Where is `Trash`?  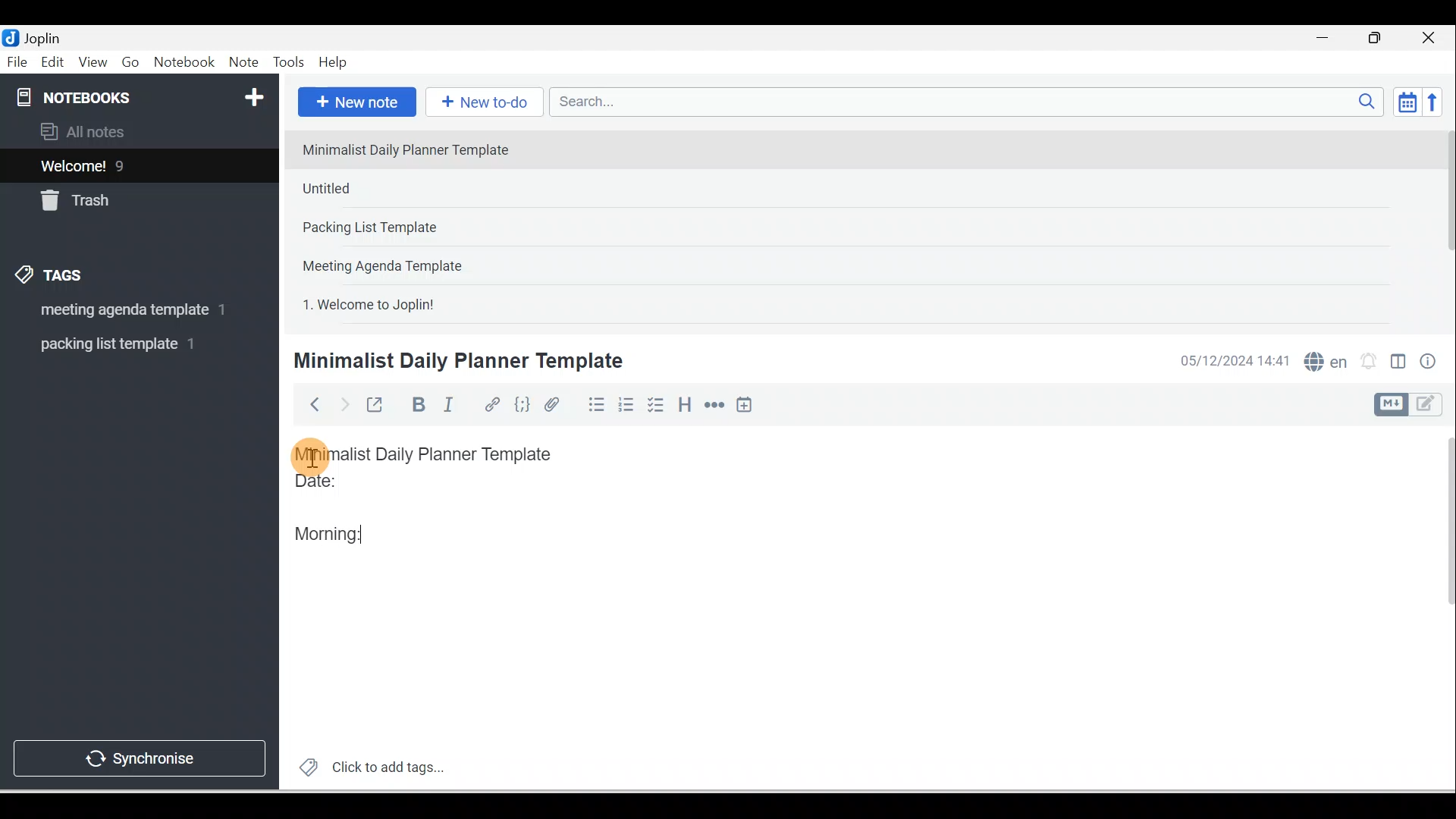
Trash is located at coordinates (111, 196).